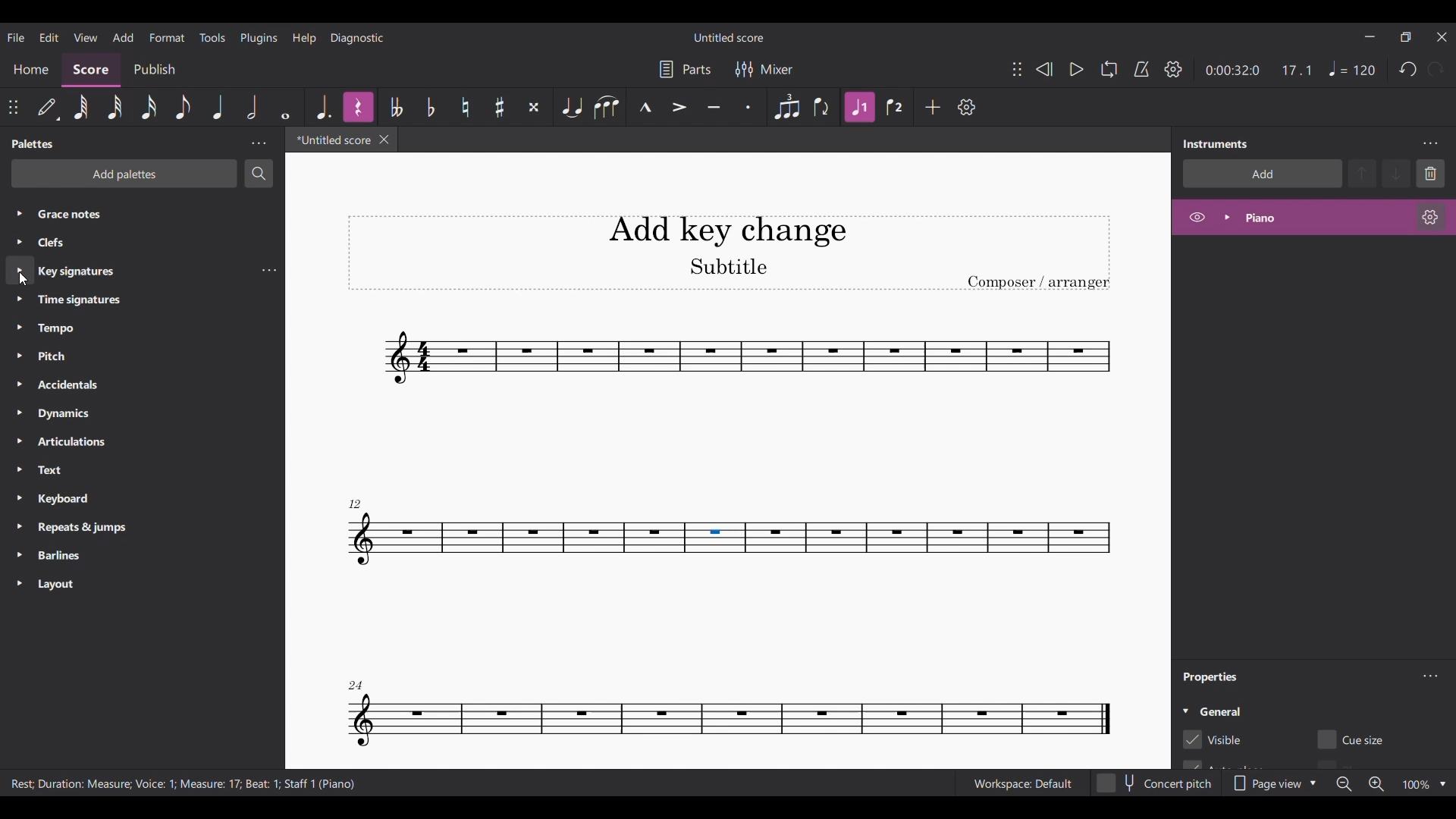 The height and width of the screenshot is (819, 1456). What do you see at coordinates (253, 107) in the screenshot?
I see `Half note` at bounding box center [253, 107].